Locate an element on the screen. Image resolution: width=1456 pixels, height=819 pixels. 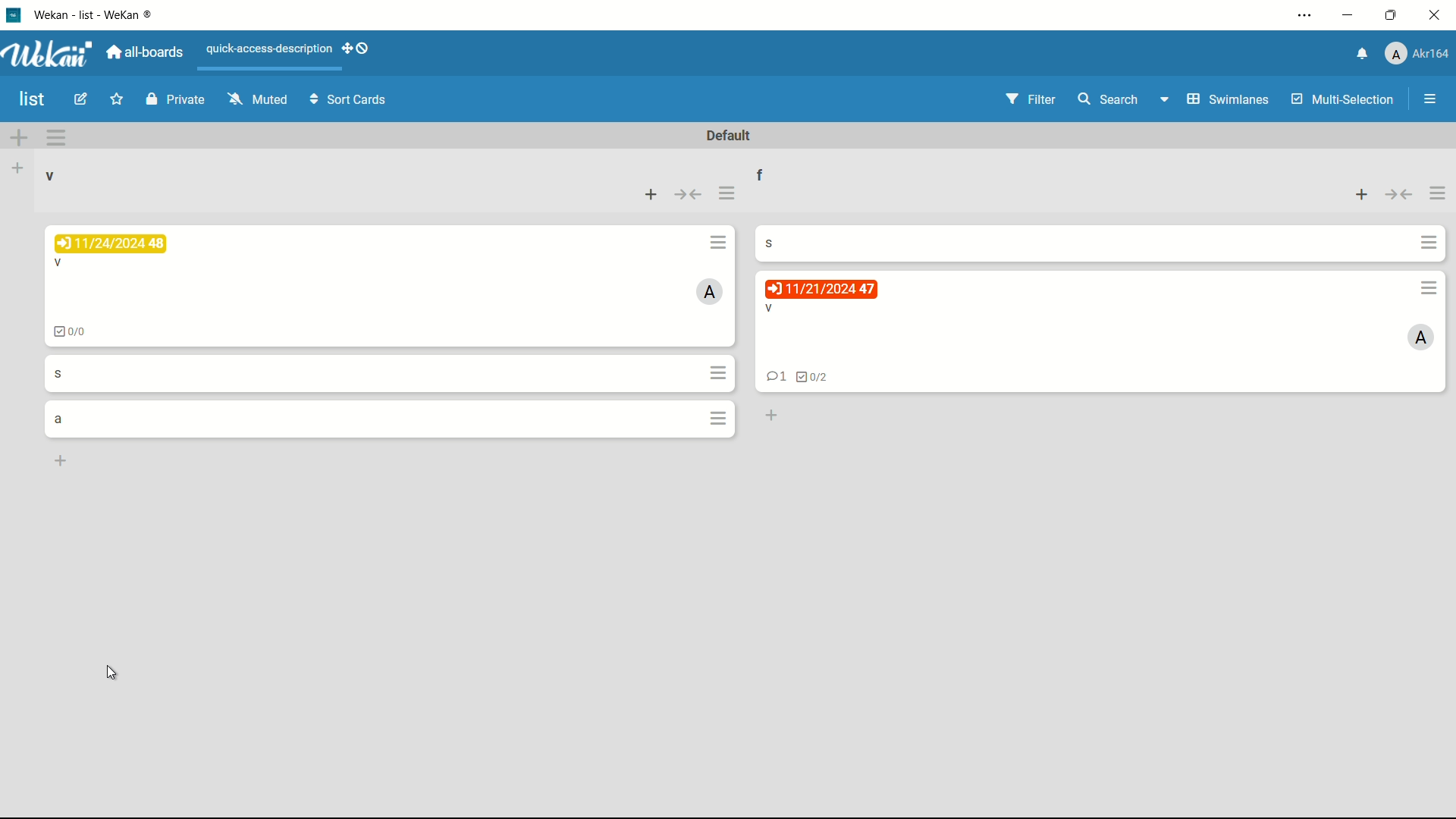
notifications is located at coordinates (1363, 55).